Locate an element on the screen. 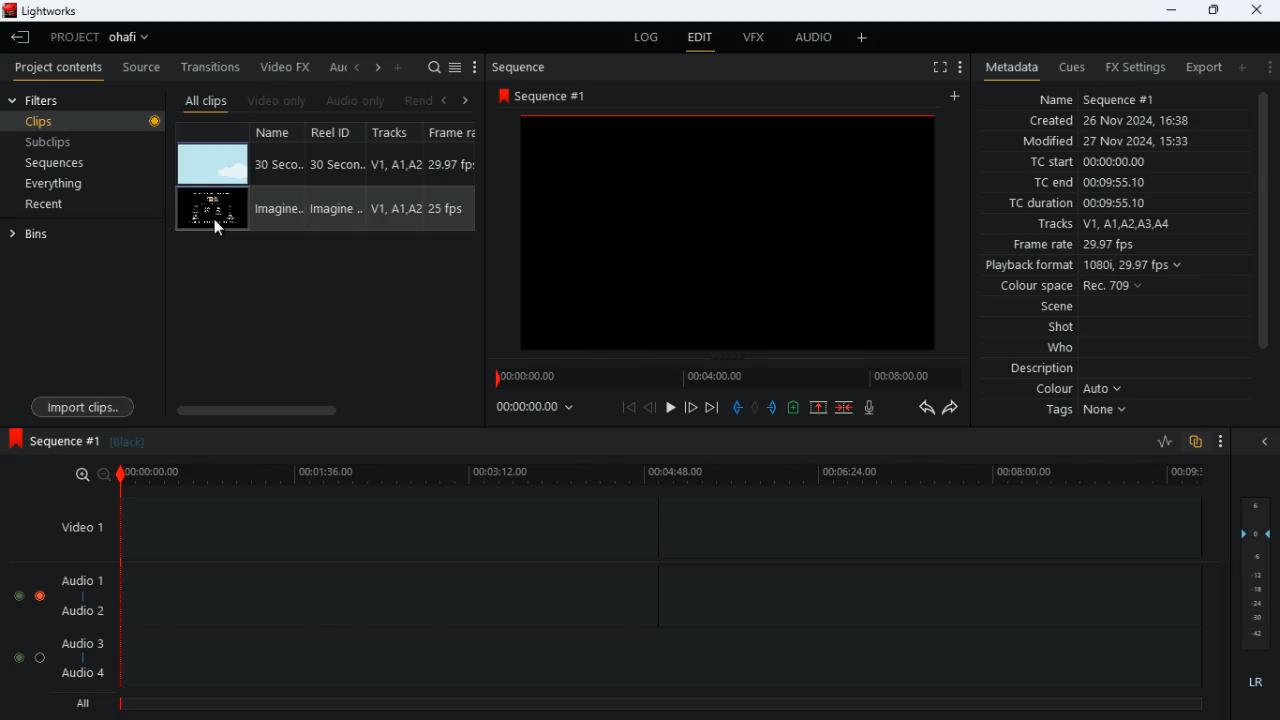 The width and height of the screenshot is (1280, 720). name is located at coordinates (278, 134).